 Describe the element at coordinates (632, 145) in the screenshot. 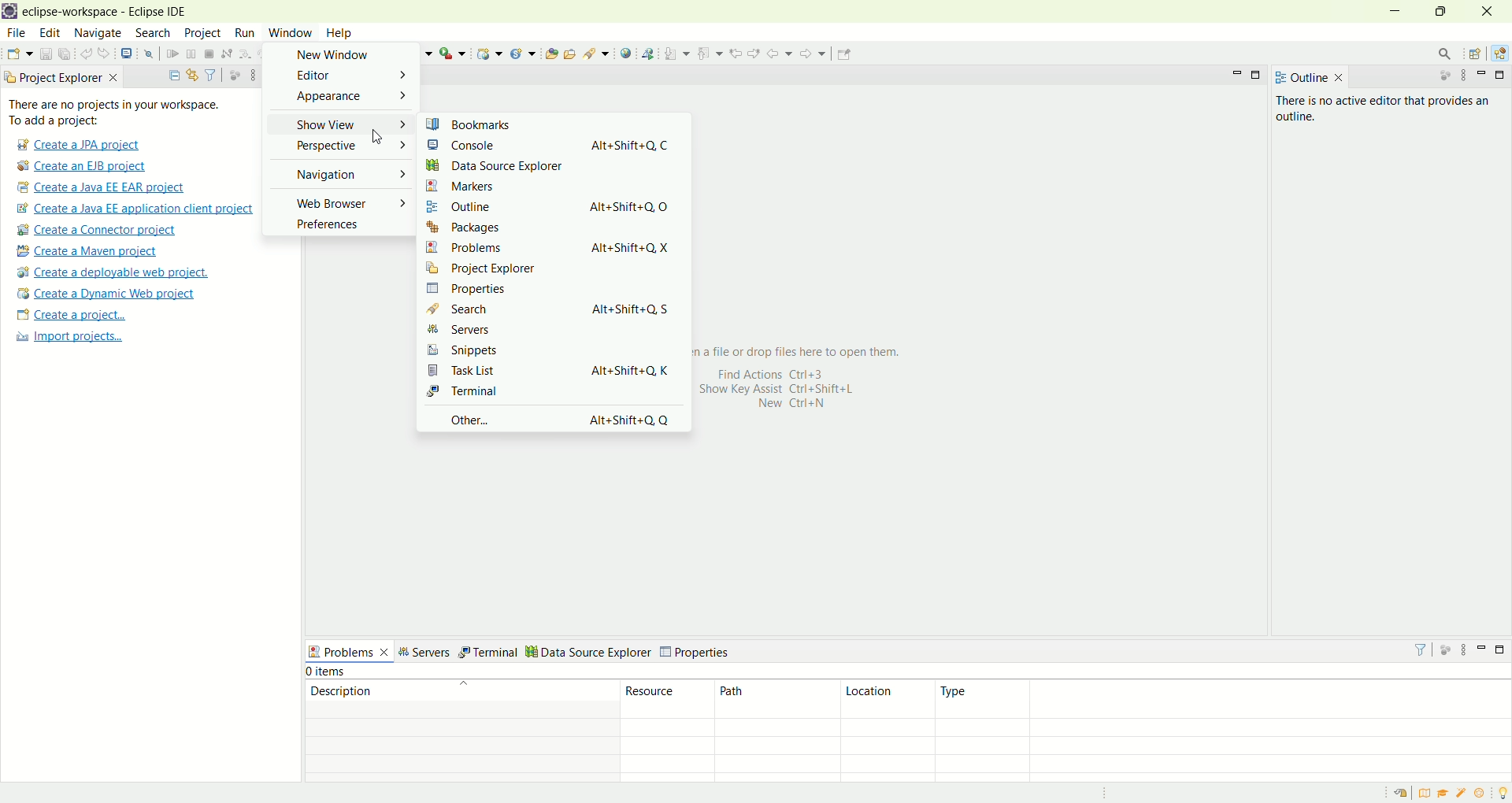

I see `Alt+Shift+Q, C` at that location.